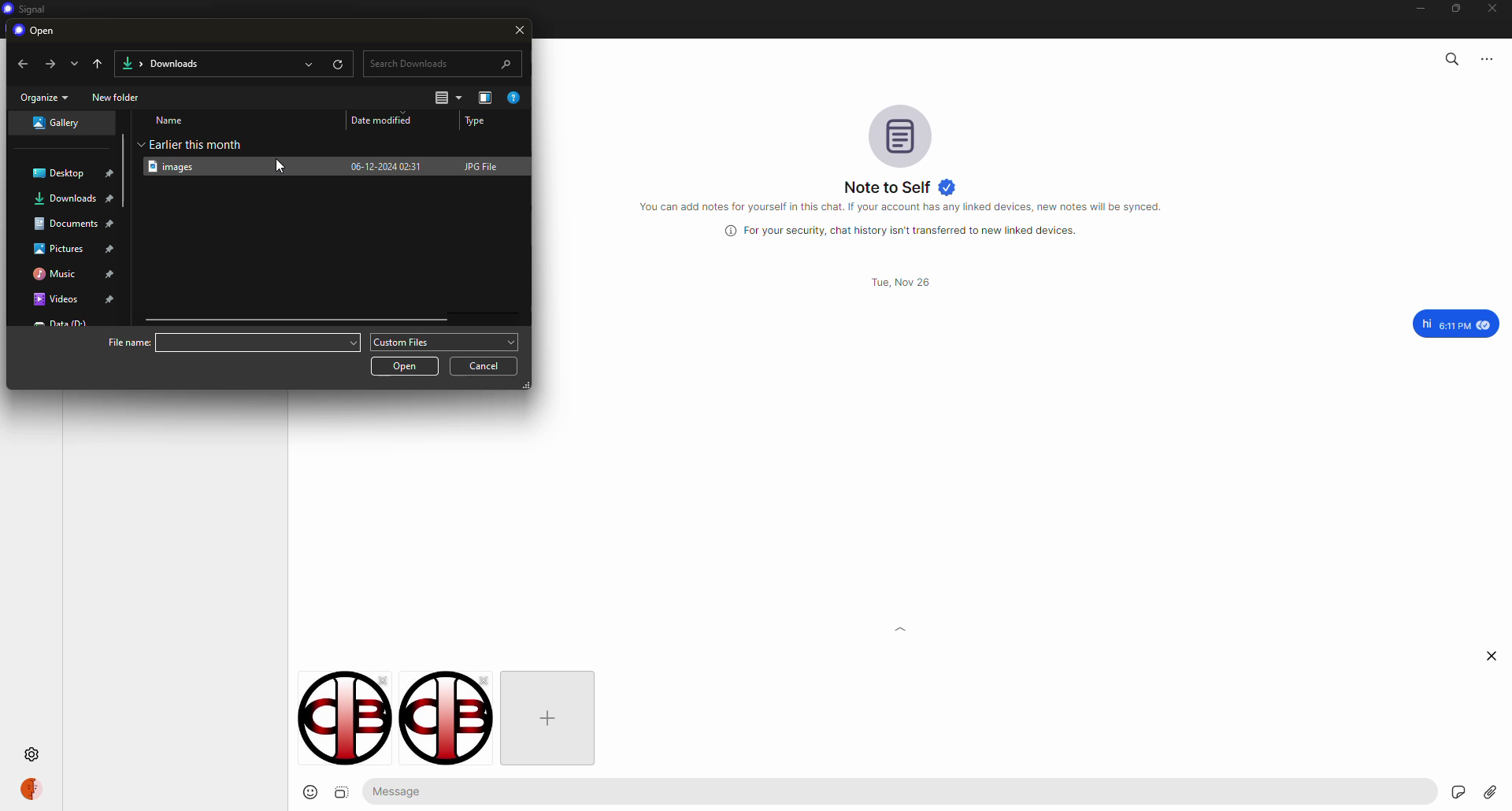 The image size is (1512, 811). Describe the element at coordinates (449, 98) in the screenshot. I see `sort` at that location.